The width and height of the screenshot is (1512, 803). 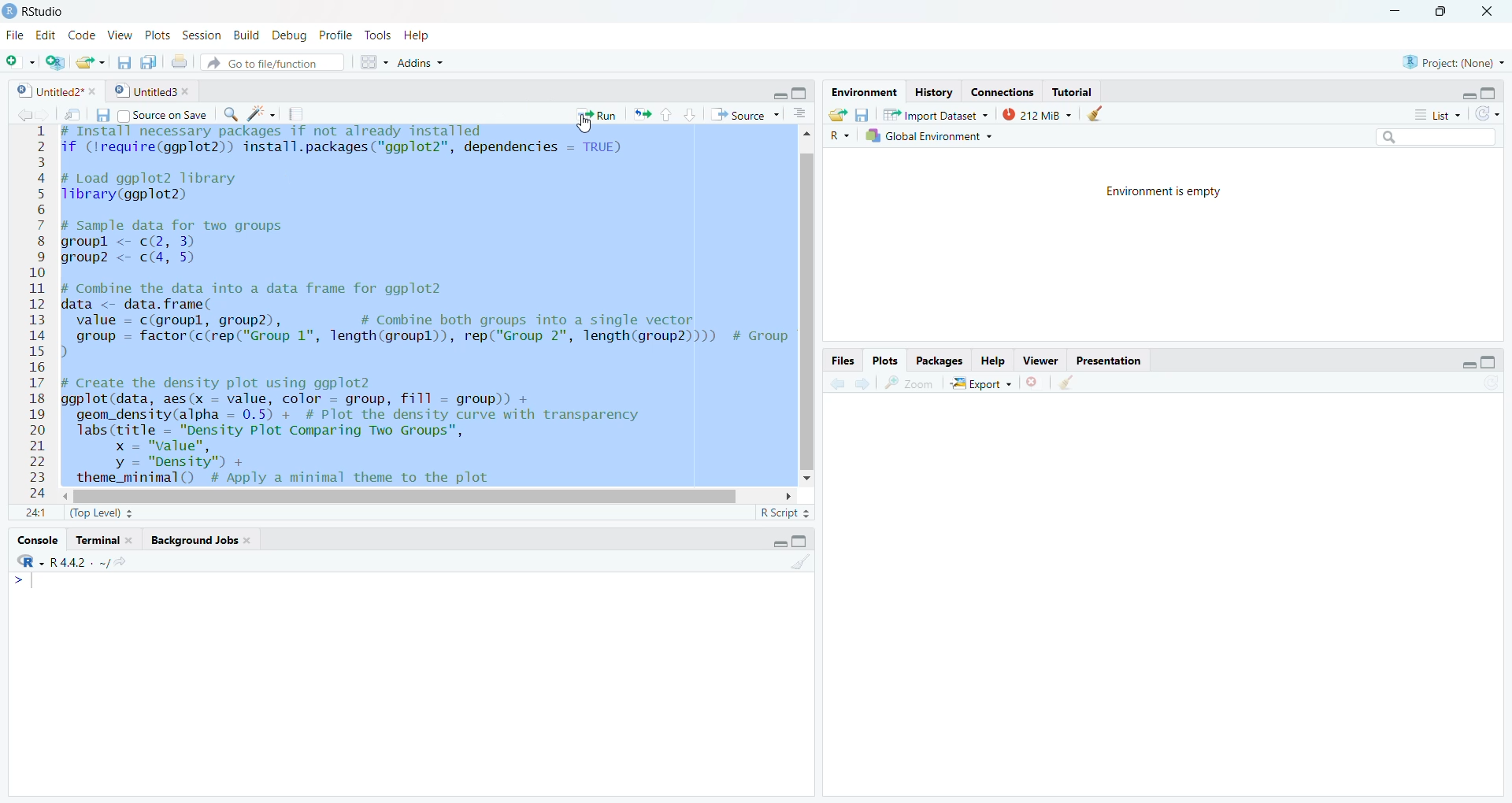 What do you see at coordinates (990, 360) in the screenshot?
I see `help` at bounding box center [990, 360].